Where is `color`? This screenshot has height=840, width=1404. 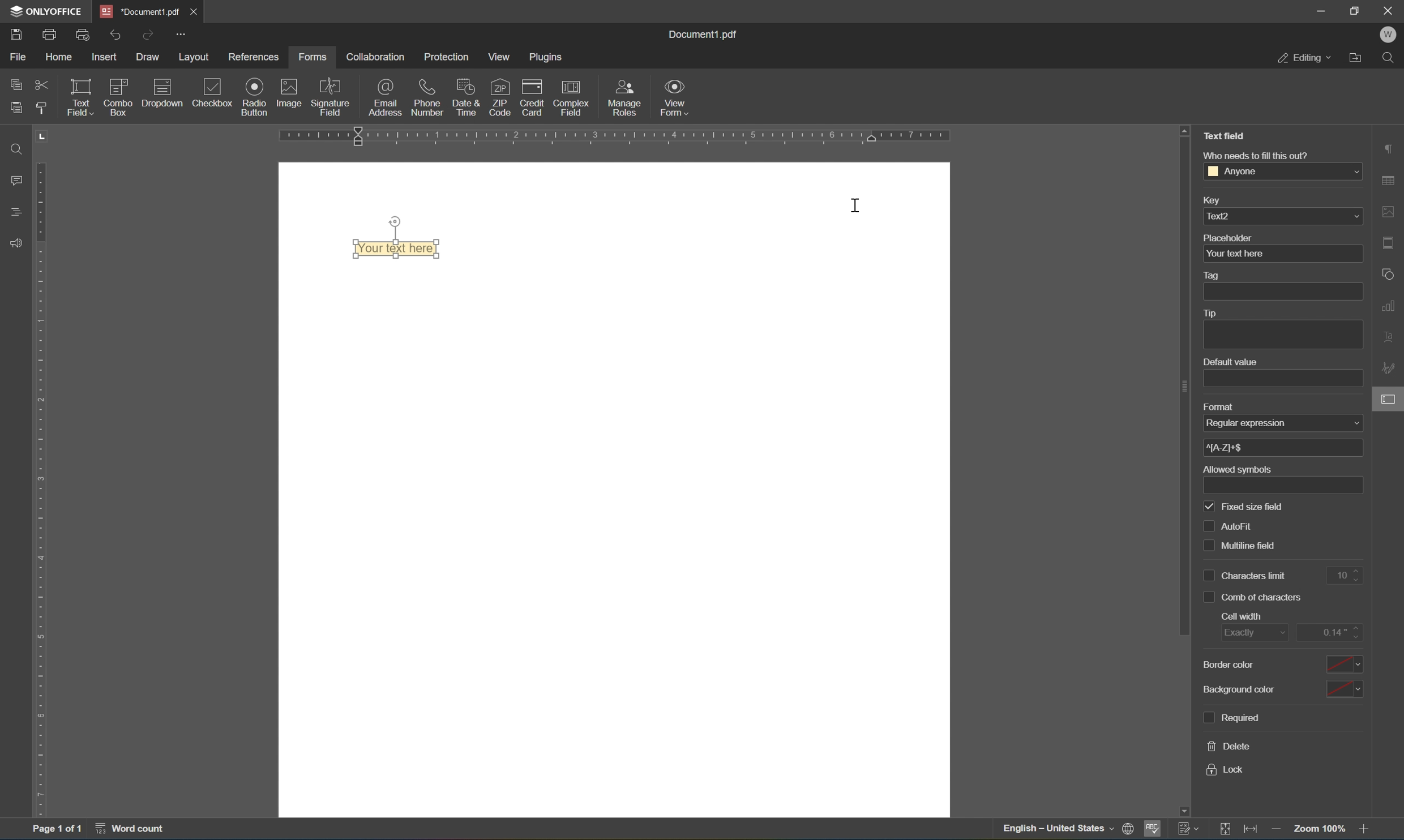
color is located at coordinates (1346, 665).